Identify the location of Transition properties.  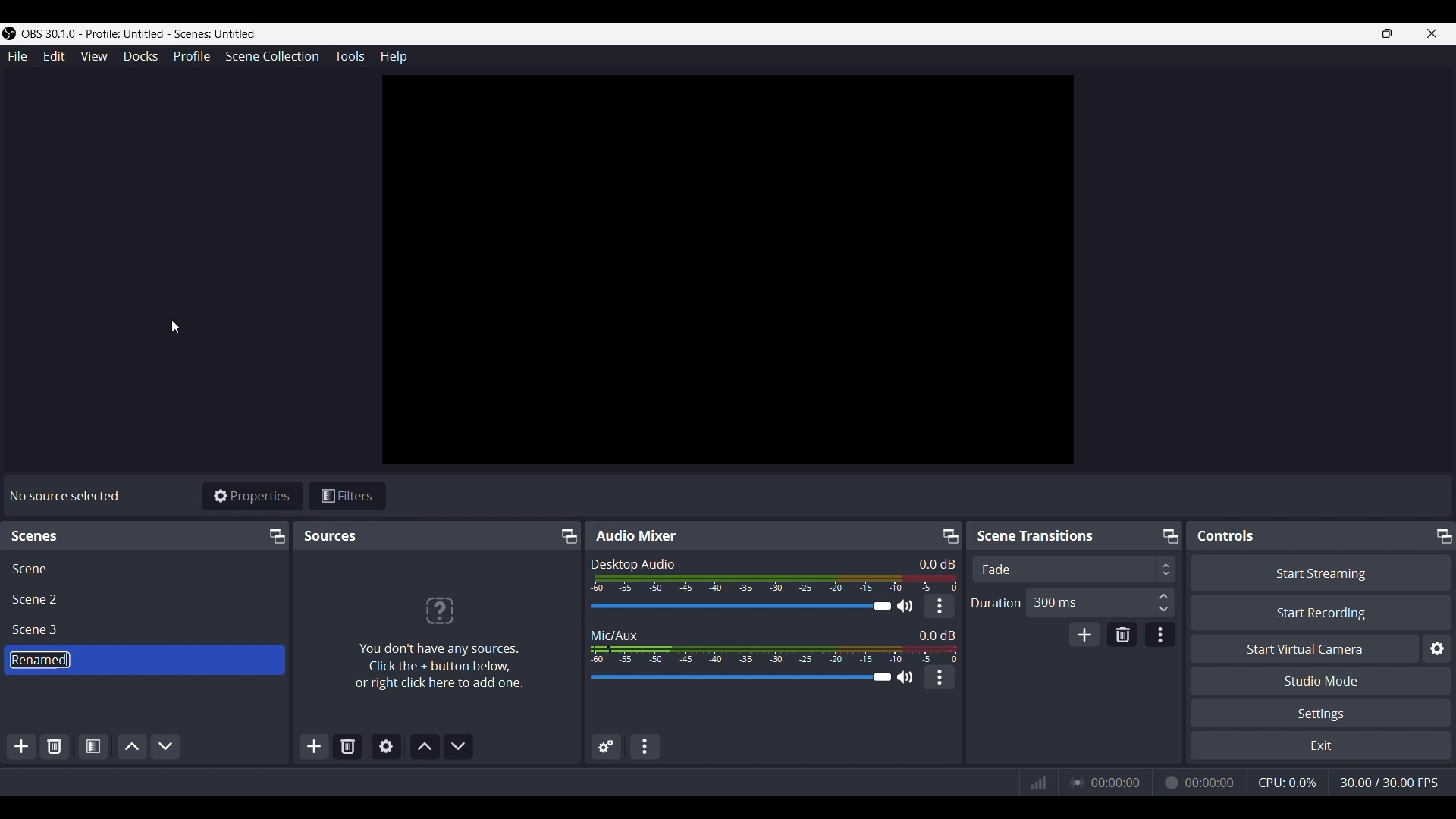
(1159, 635).